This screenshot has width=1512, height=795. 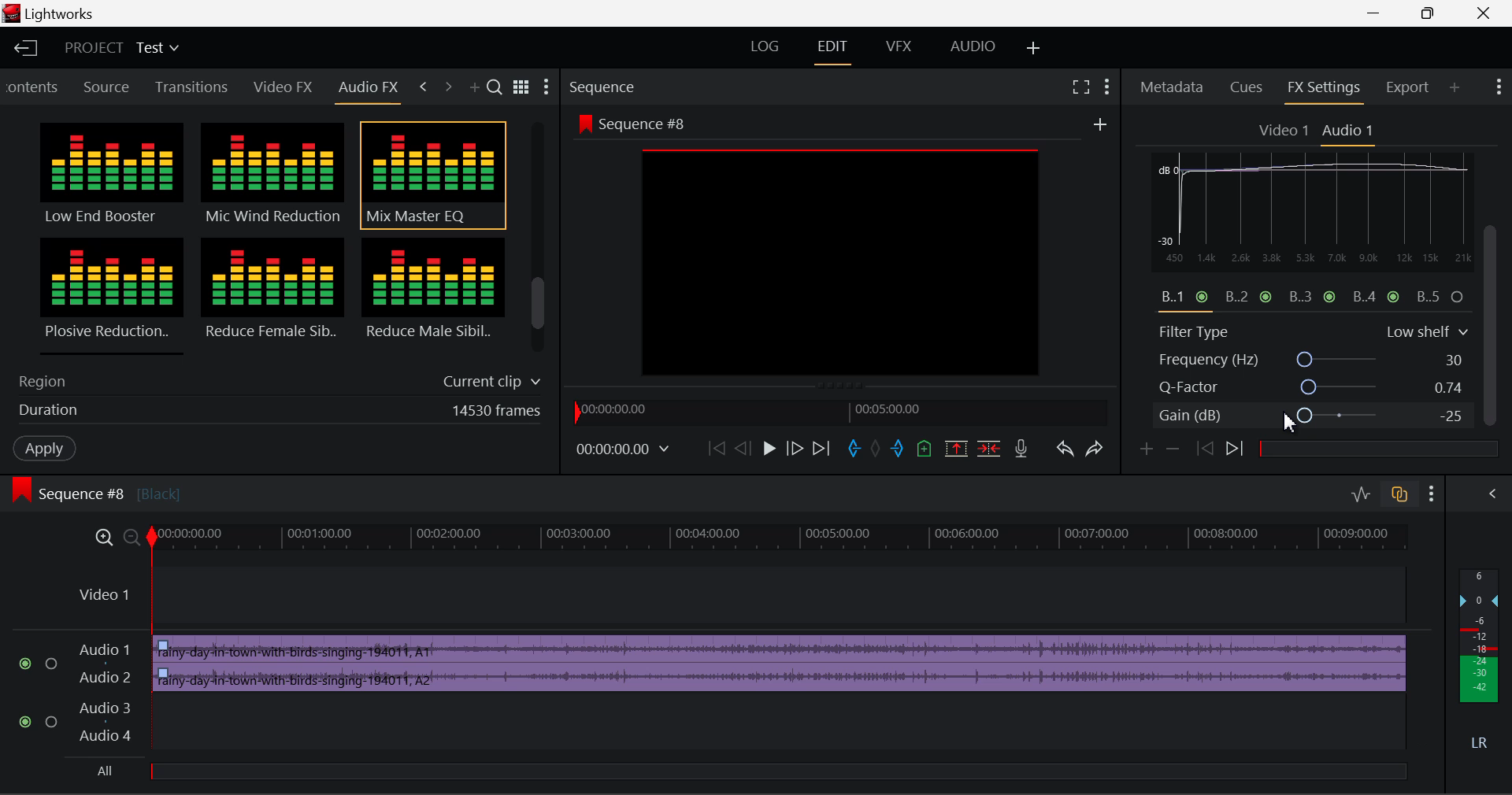 I want to click on Contents, so click(x=34, y=85).